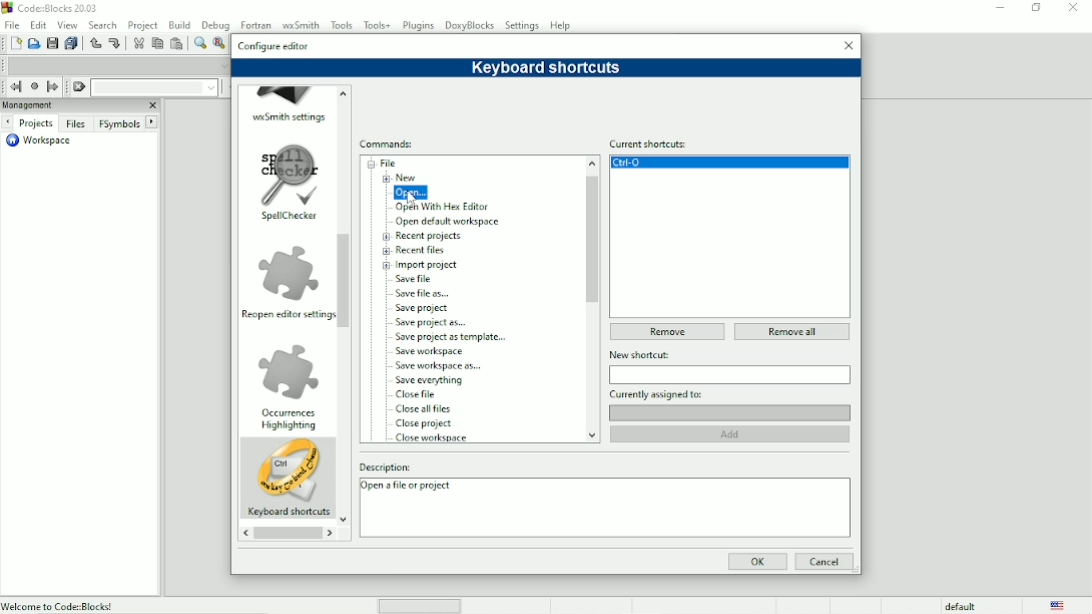 The image size is (1092, 614). I want to click on Close all files, so click(424, 409).